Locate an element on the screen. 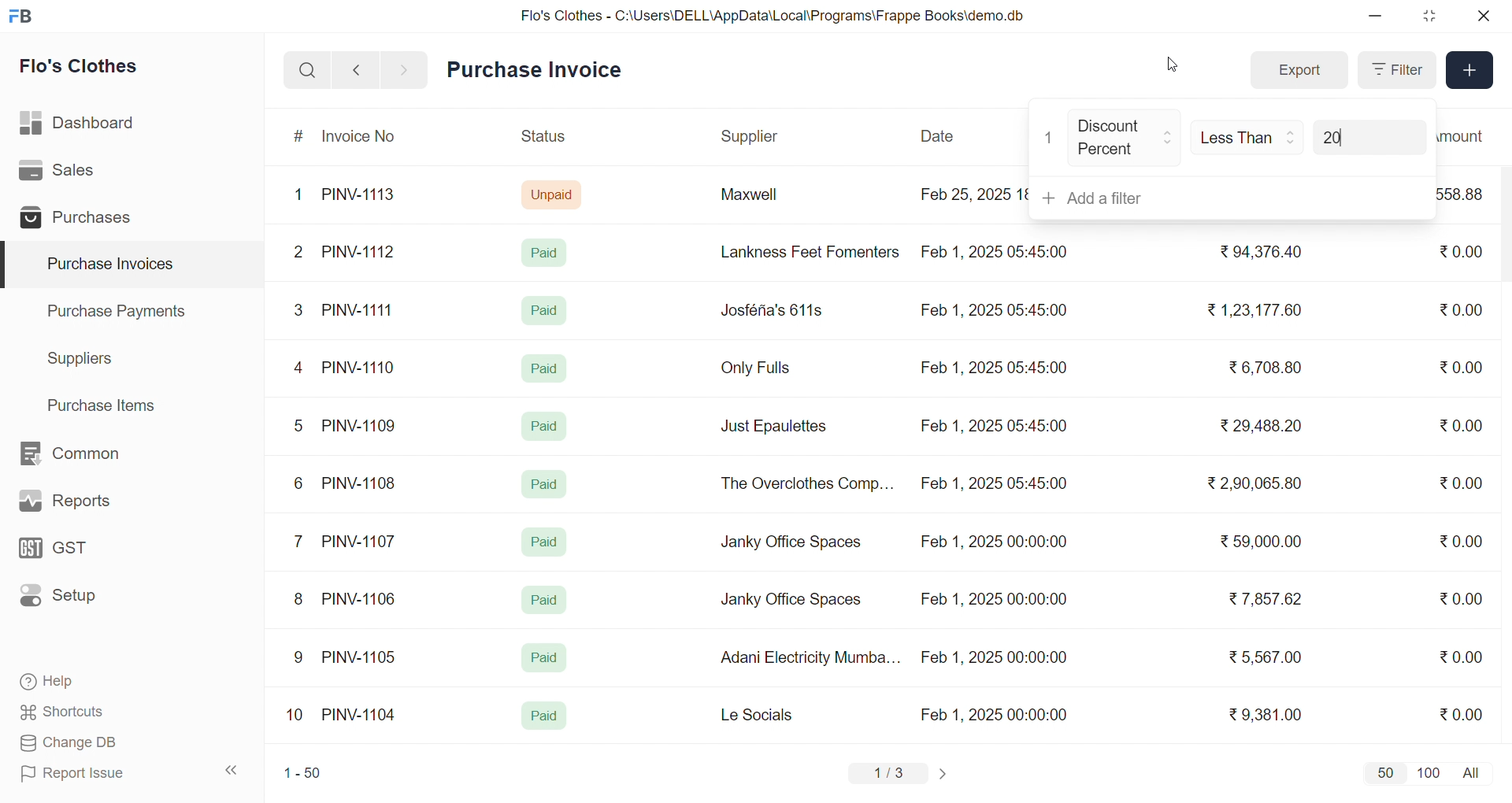 This screenshot has height=803, width=1512. PINV-1109 is located at coordinates (361, 425).